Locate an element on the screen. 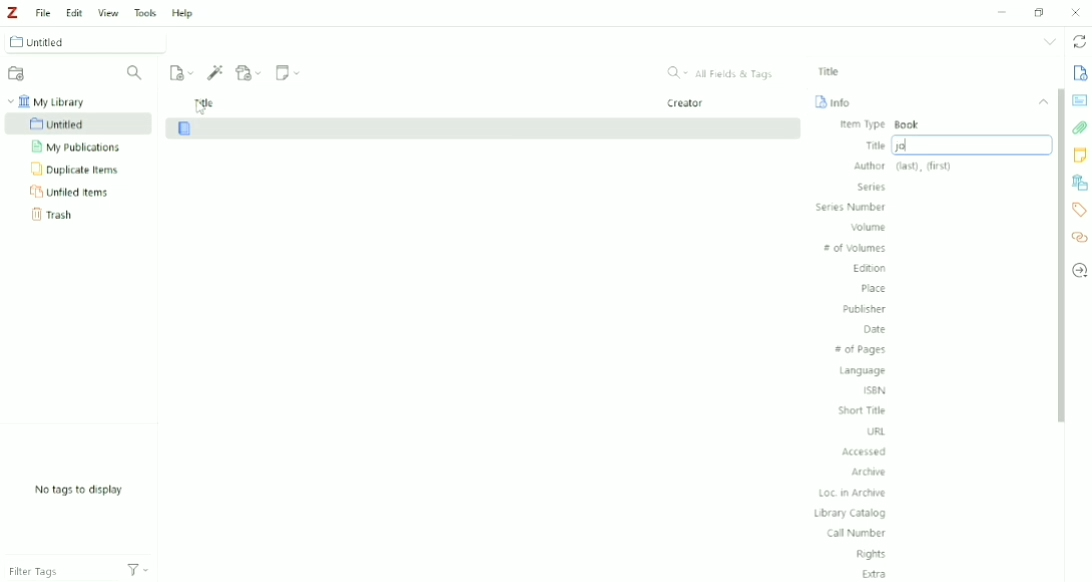  New Note is located at coordinates (289, 73).